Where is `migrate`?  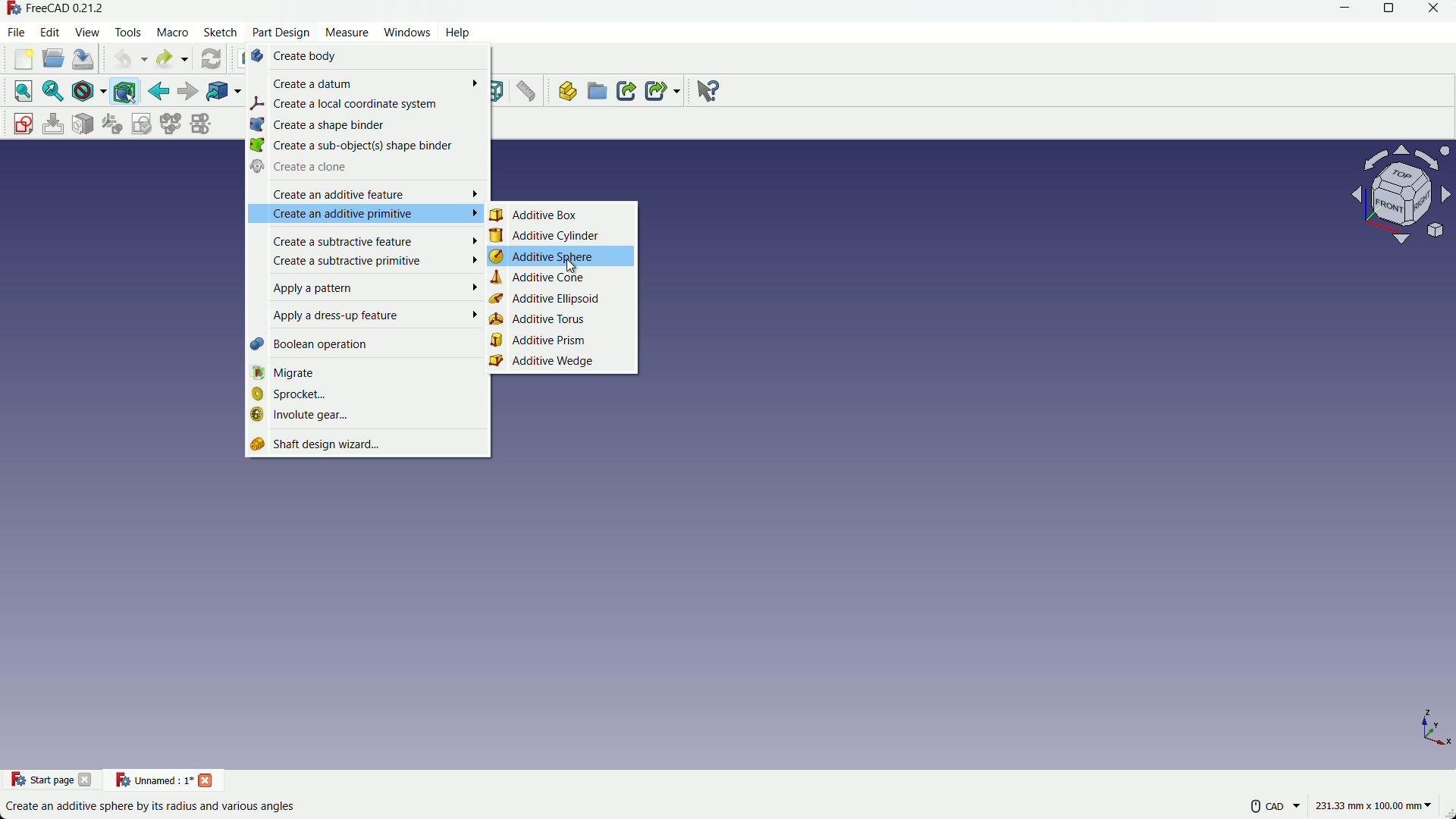
migrate is located at coordinates (366, 374).